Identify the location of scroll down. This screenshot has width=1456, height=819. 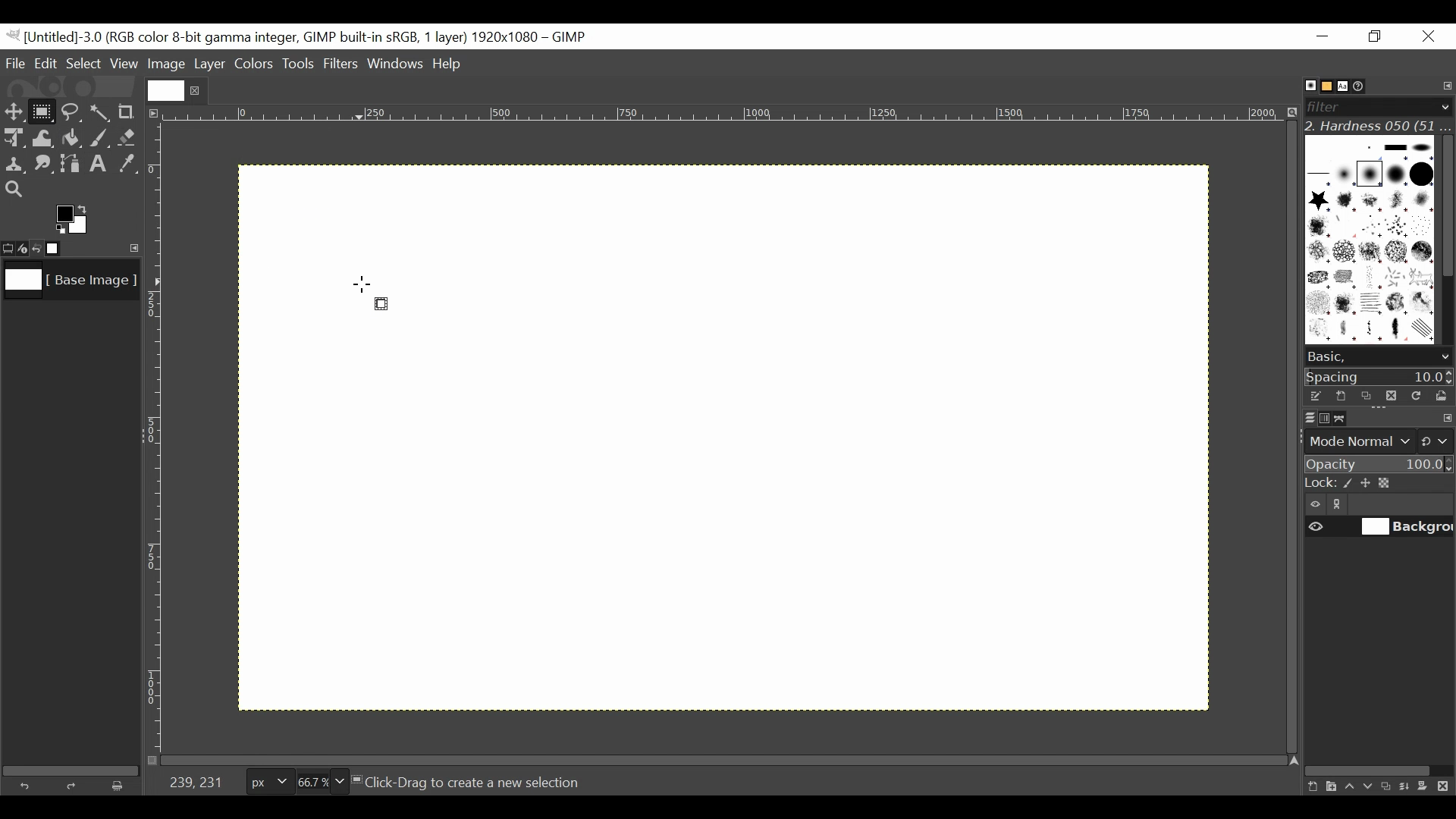
(1445, 357).